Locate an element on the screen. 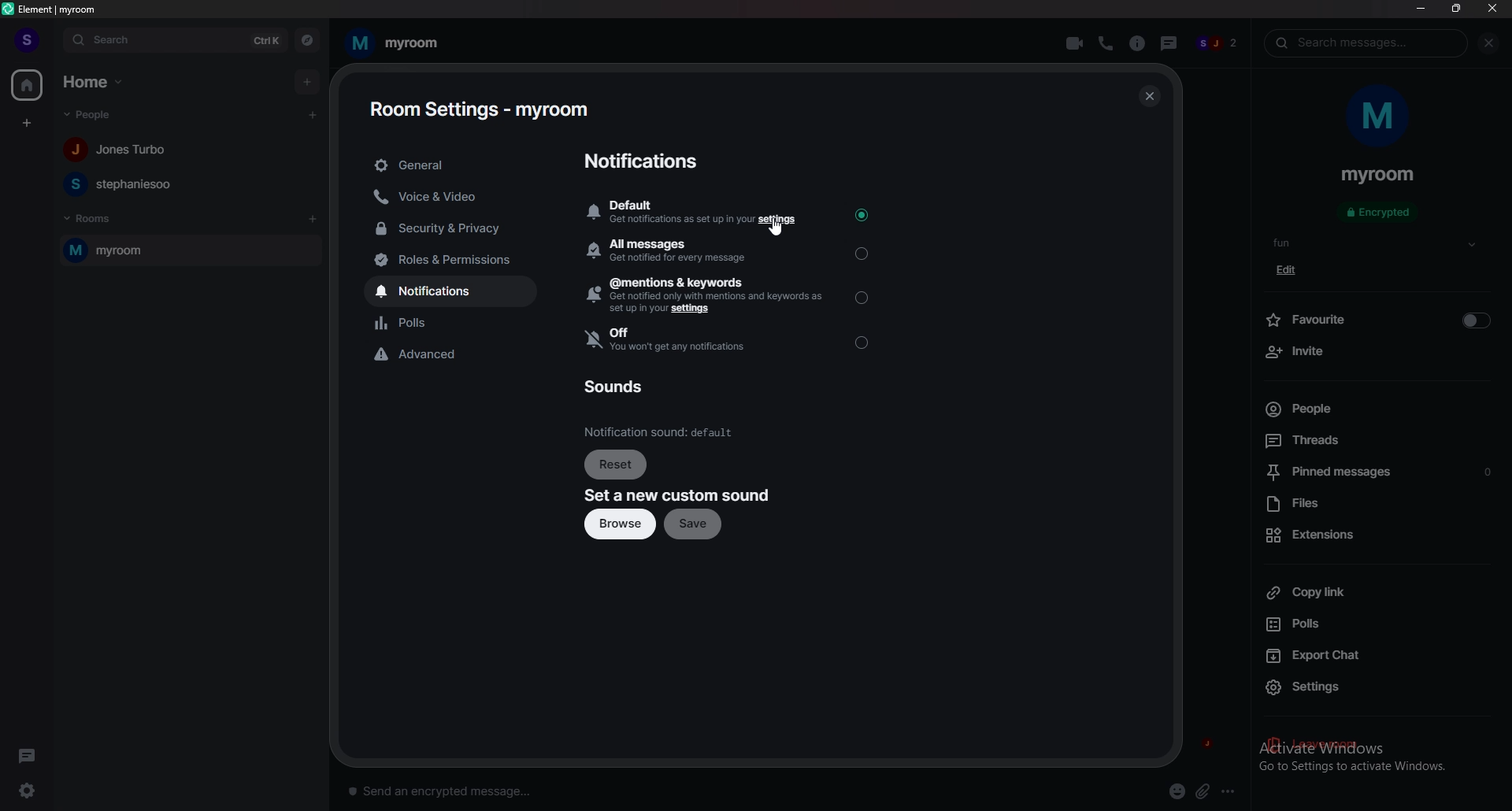 This screenshot has height=811, width=1512. add is located at coordinates (306, 81).